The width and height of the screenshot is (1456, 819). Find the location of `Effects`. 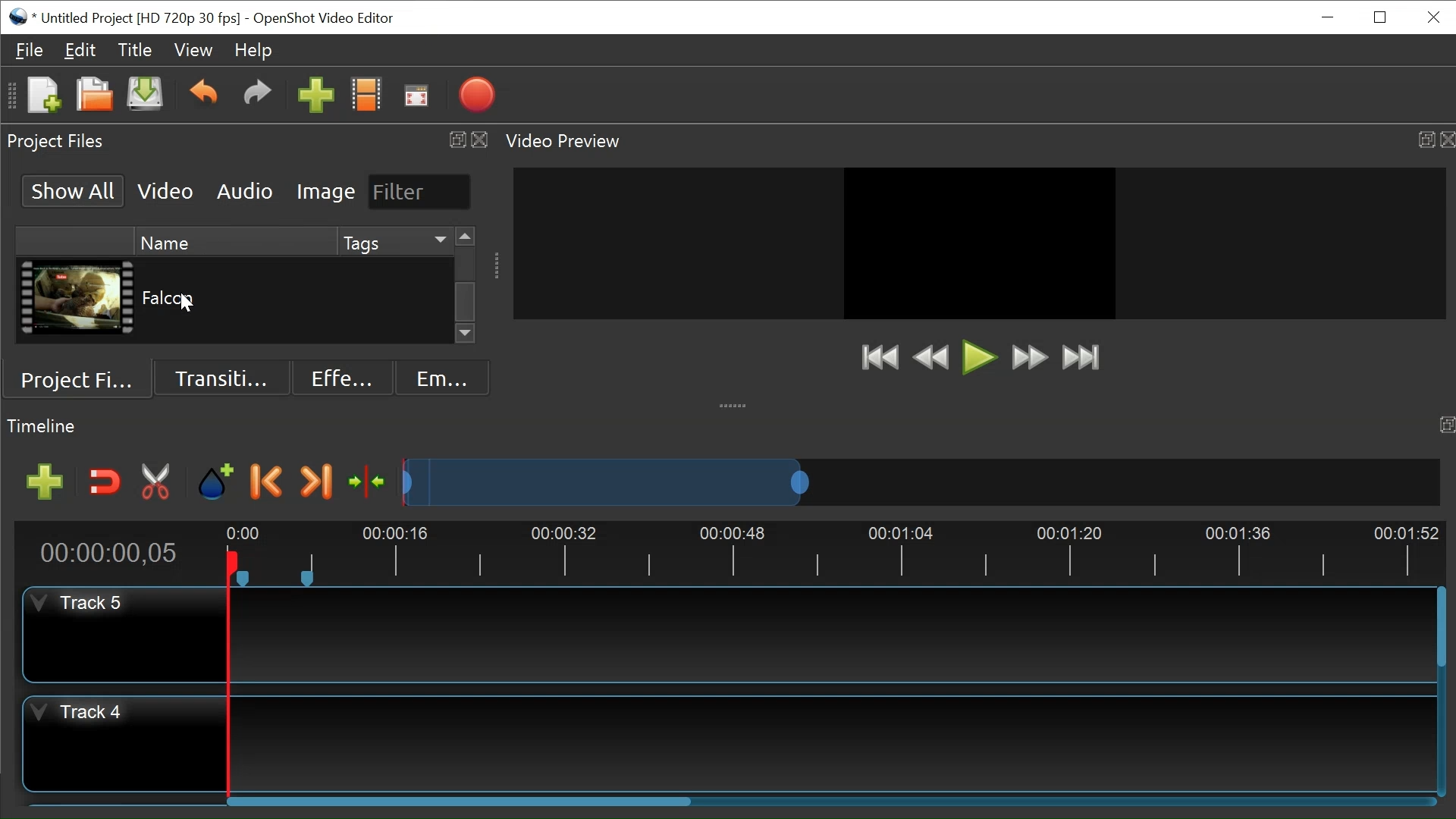

Effects is located at coordinates (337, 376).